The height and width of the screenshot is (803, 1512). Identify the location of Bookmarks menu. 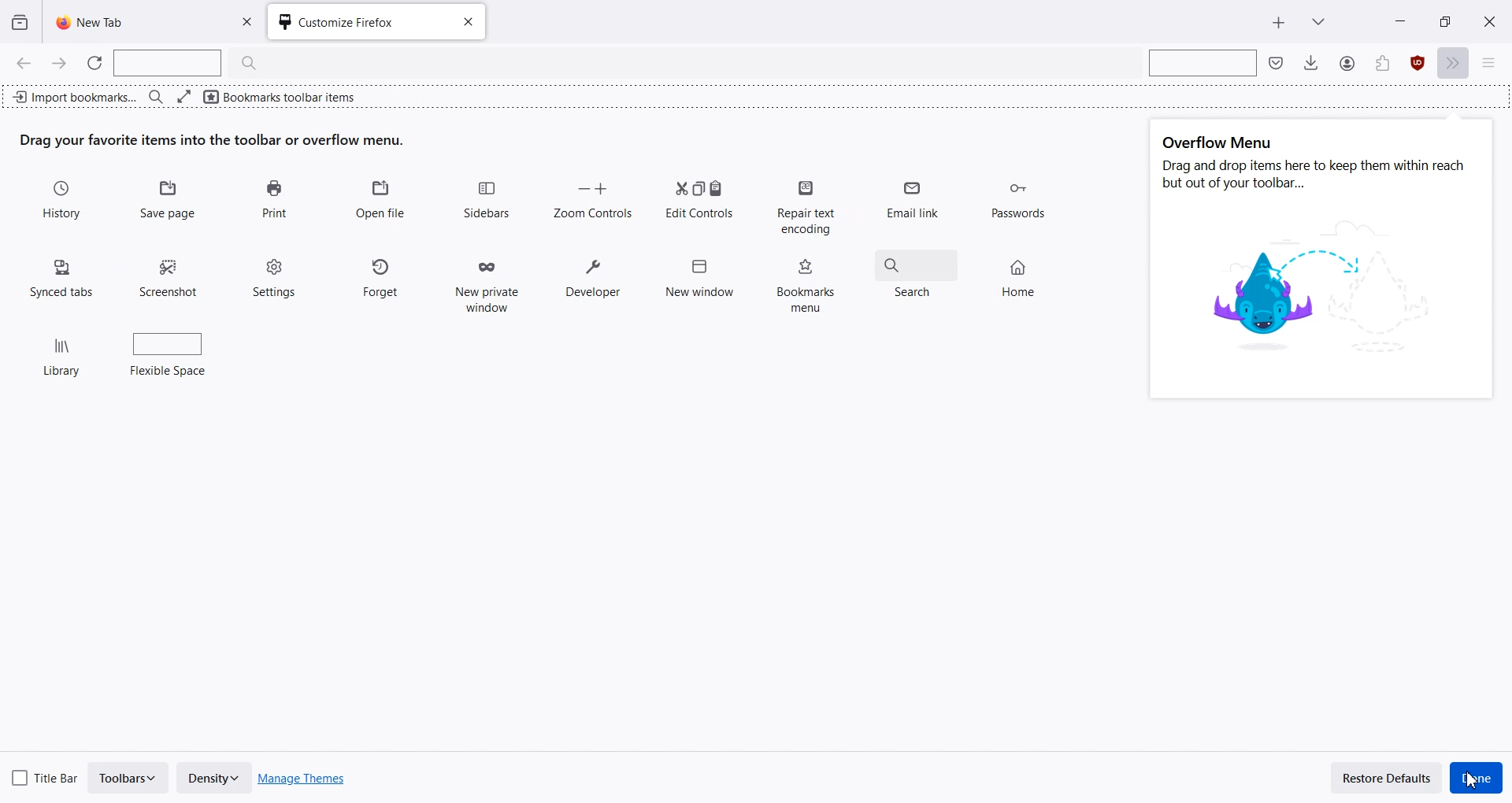
(805, 284).